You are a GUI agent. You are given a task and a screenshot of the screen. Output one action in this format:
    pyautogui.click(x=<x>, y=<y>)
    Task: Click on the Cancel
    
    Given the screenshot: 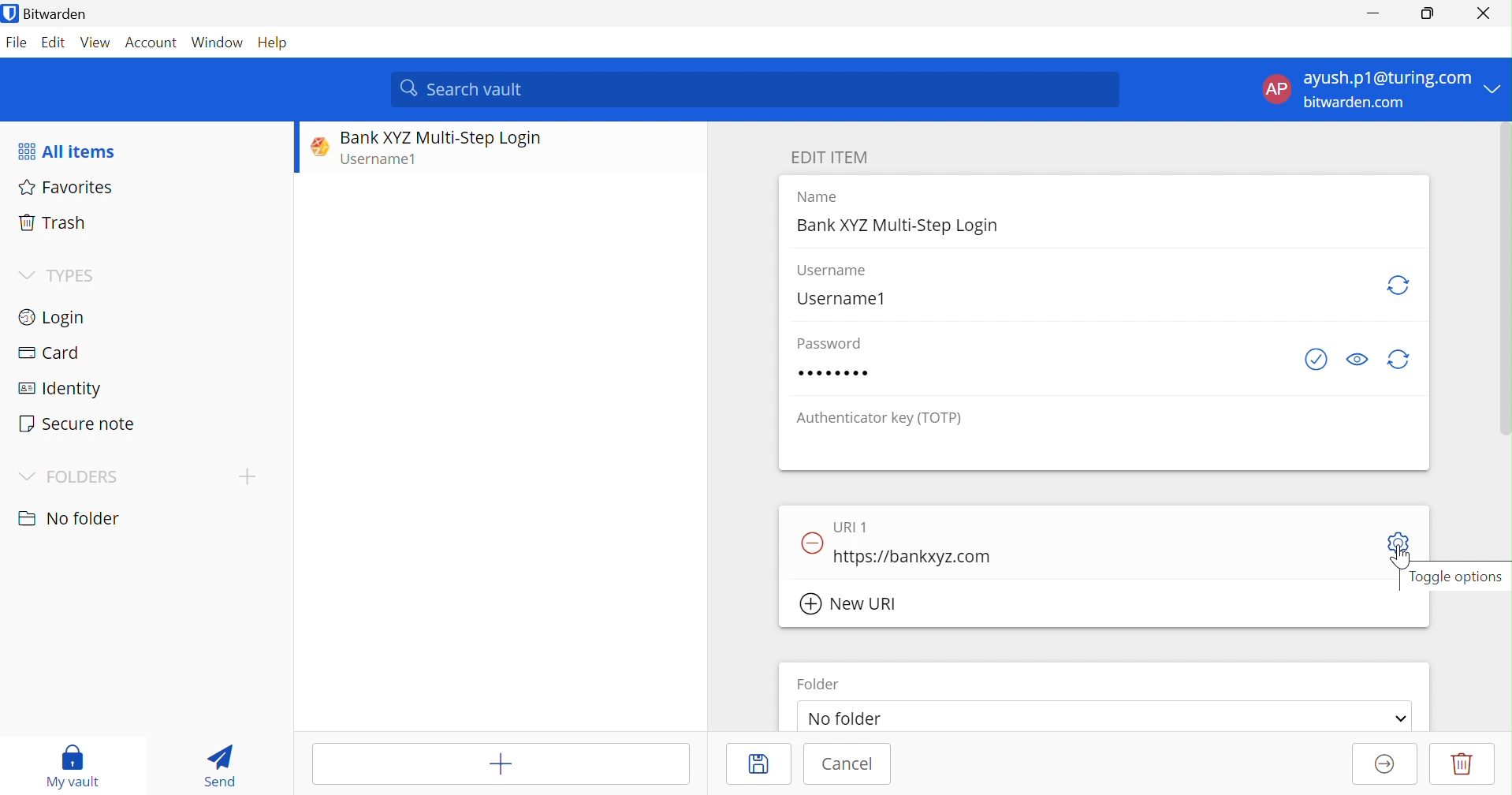 What is the action you would take?
    pyautogui.click(x=847, y=763)
    